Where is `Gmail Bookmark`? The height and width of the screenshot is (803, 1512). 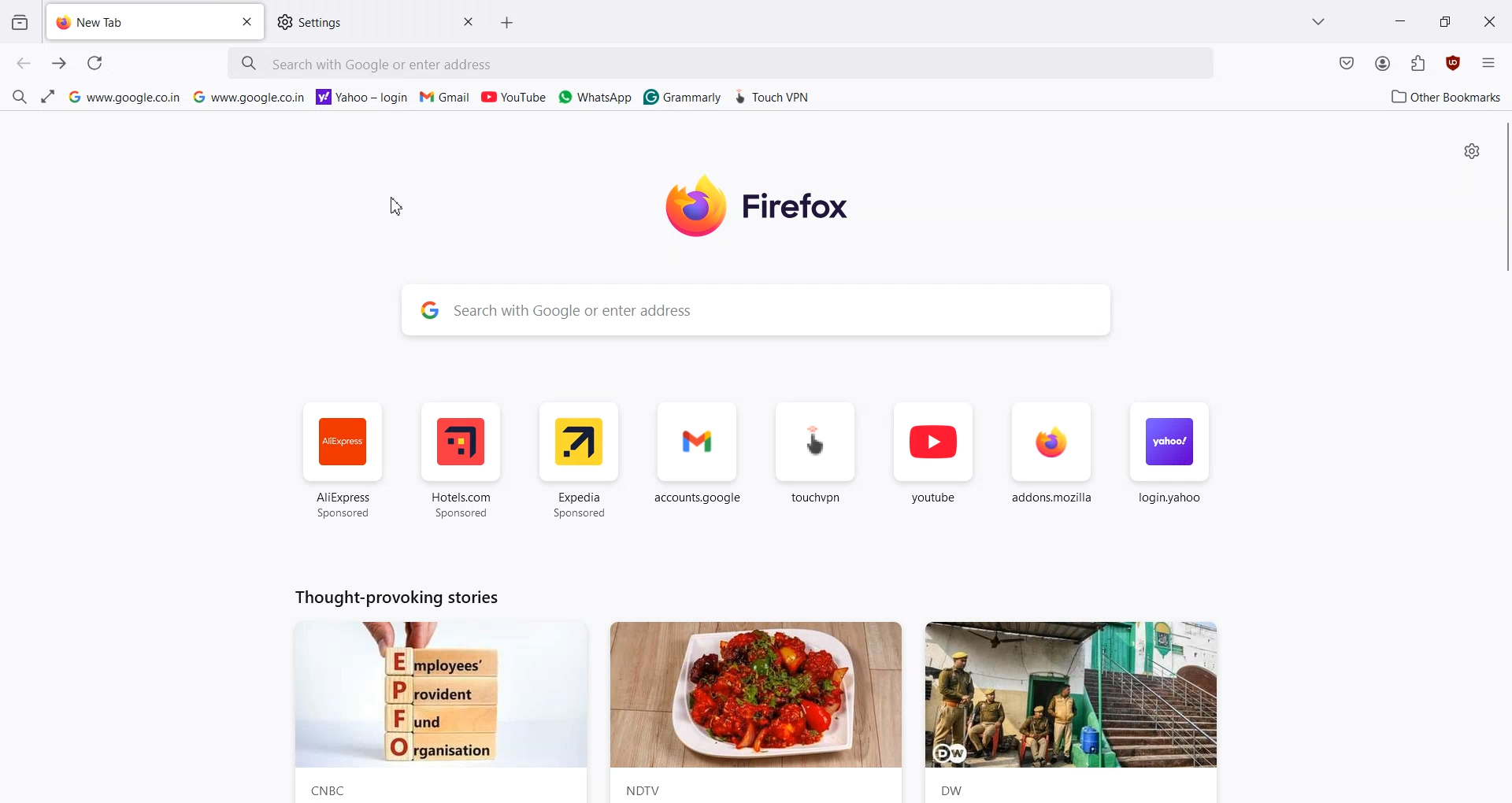 Gmail Bookmark is located at coordinates (447, 97).